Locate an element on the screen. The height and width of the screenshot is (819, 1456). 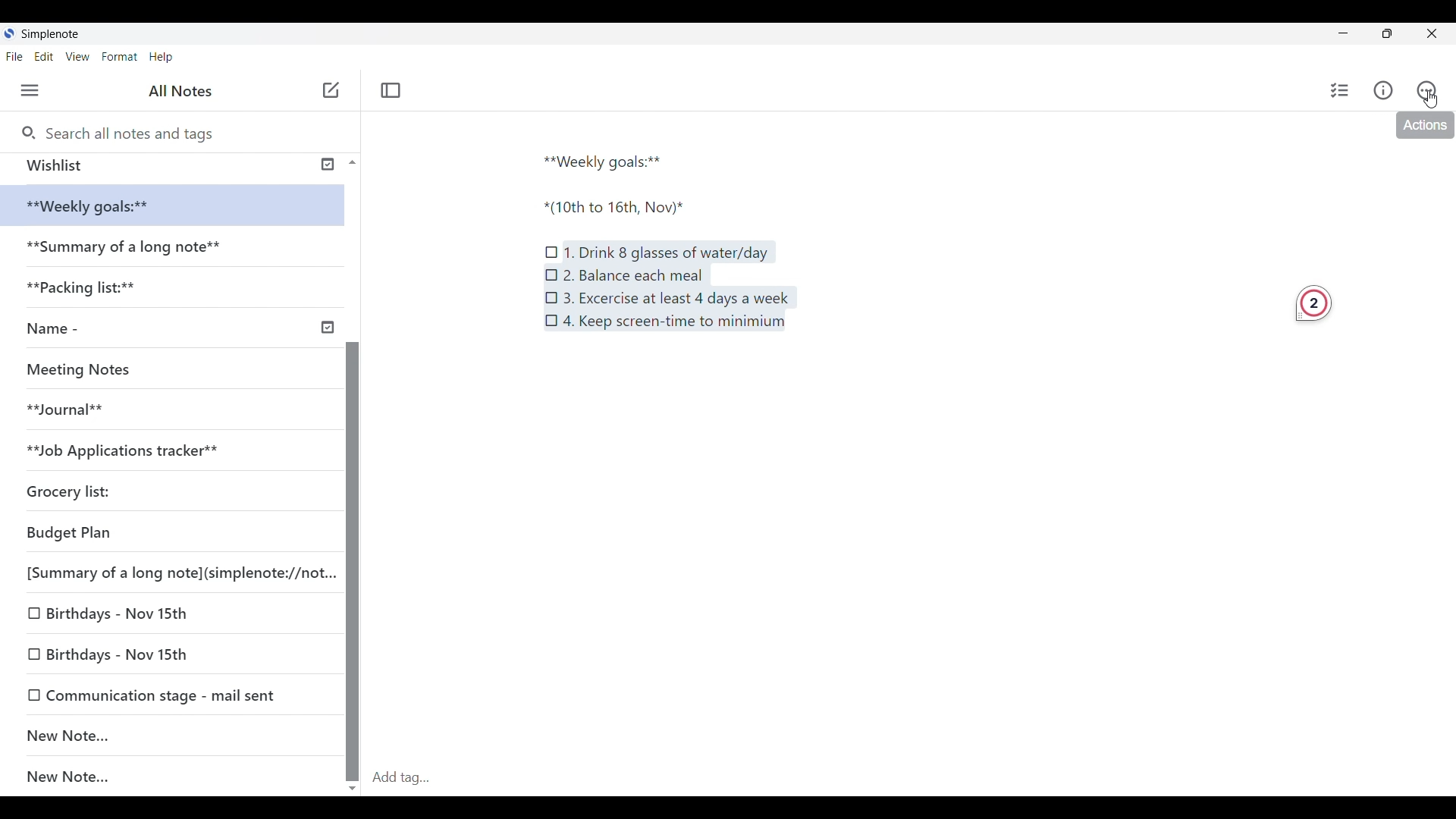
Birthdays - Nov 15th is located at coordinates (153, 616).